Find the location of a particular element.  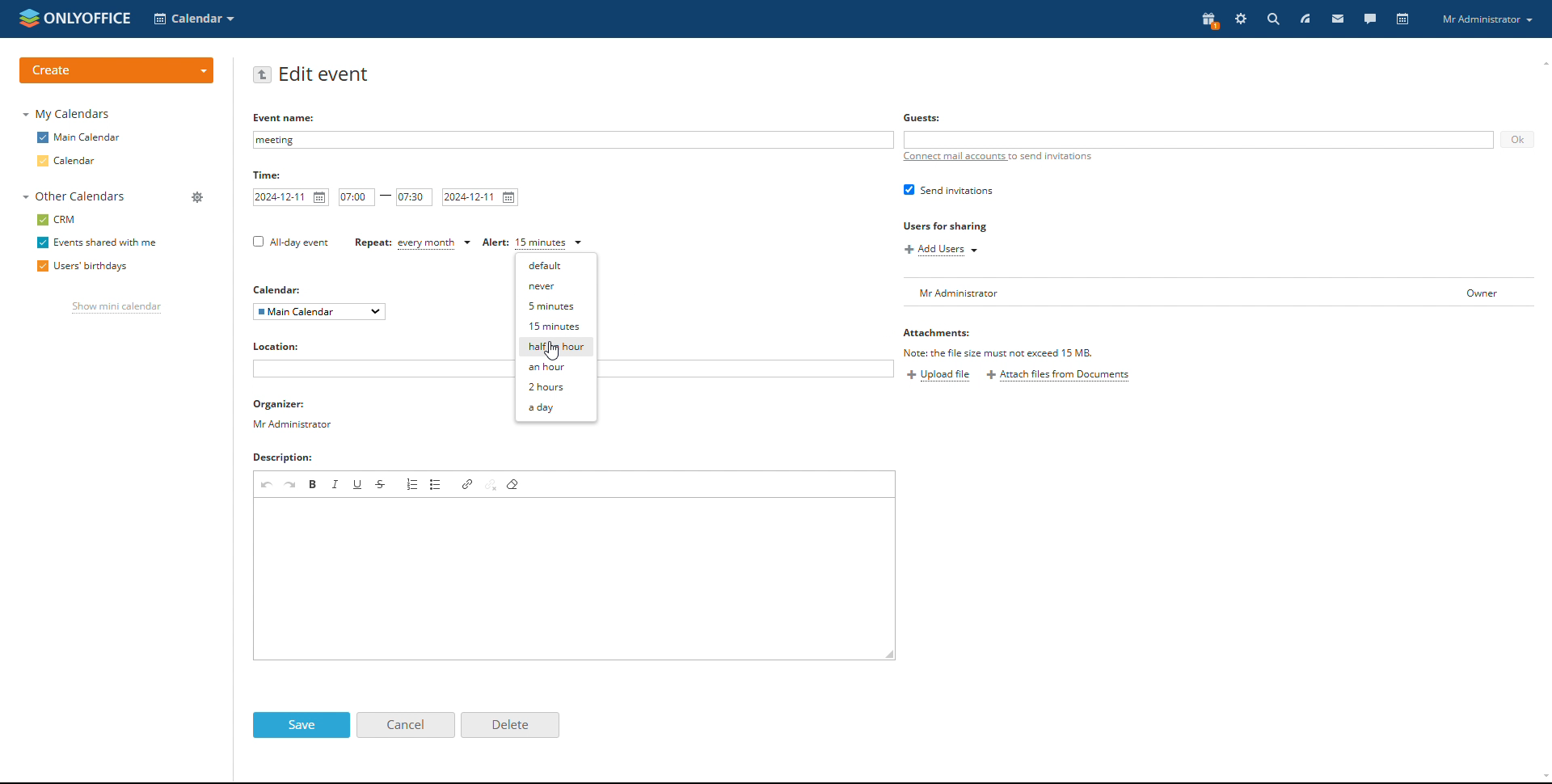

show mini calendar is located at coordinates (116, 309).